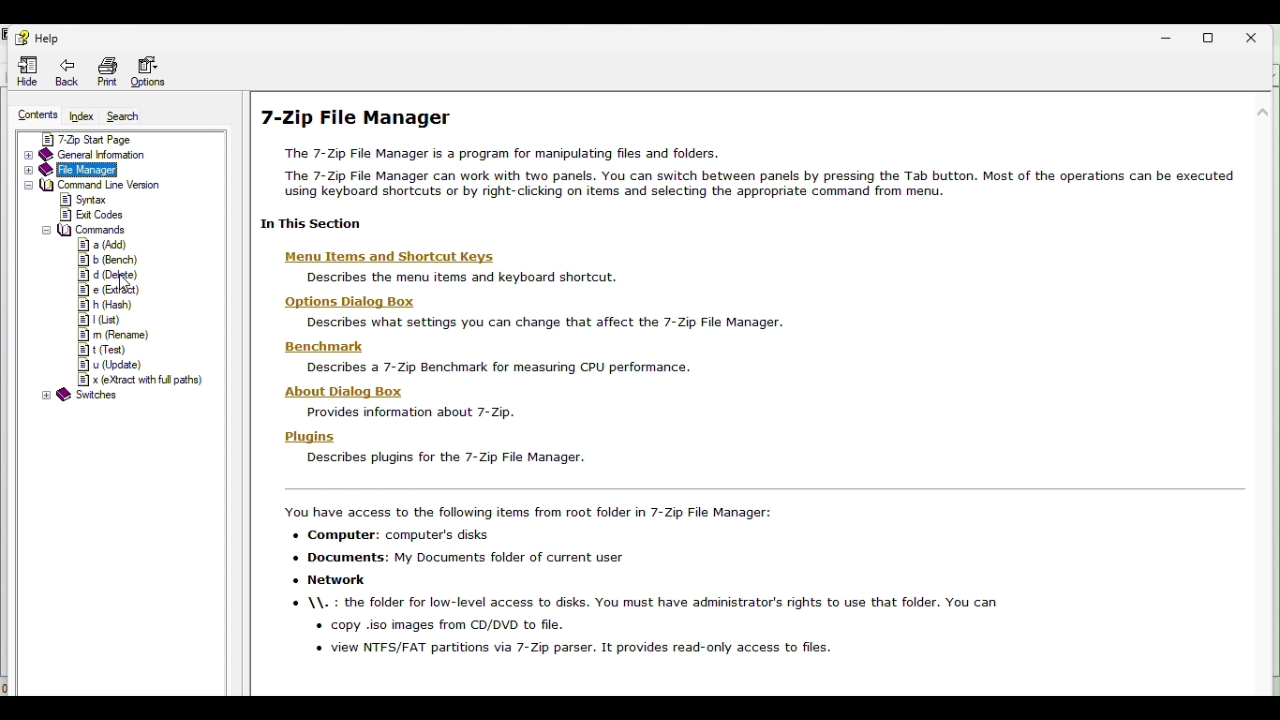  I want to click on e, so click(109, 290).